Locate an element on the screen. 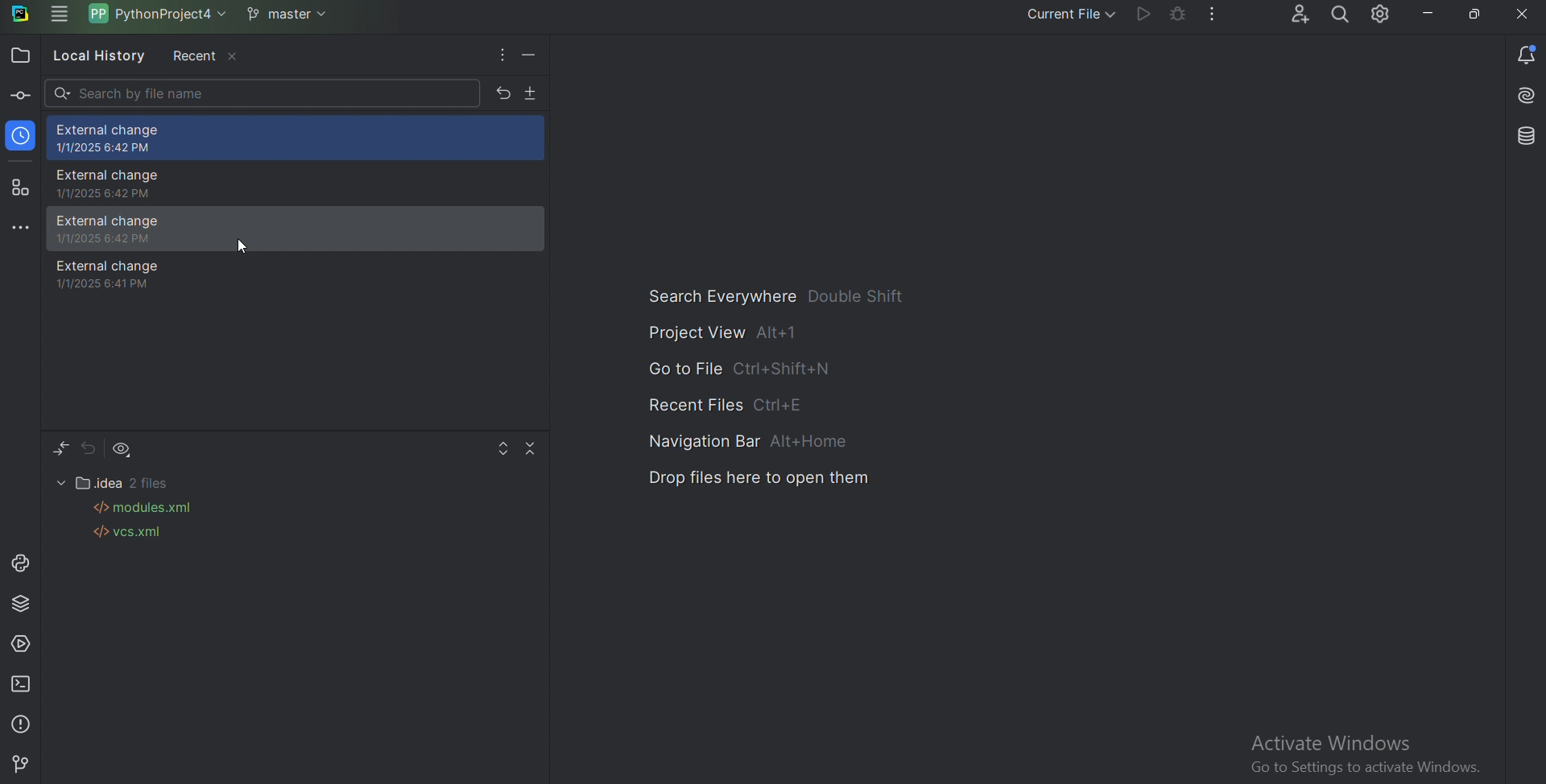 The width and height of the screenshot is (1546, 784). Git is located at coordinates (23, 763).